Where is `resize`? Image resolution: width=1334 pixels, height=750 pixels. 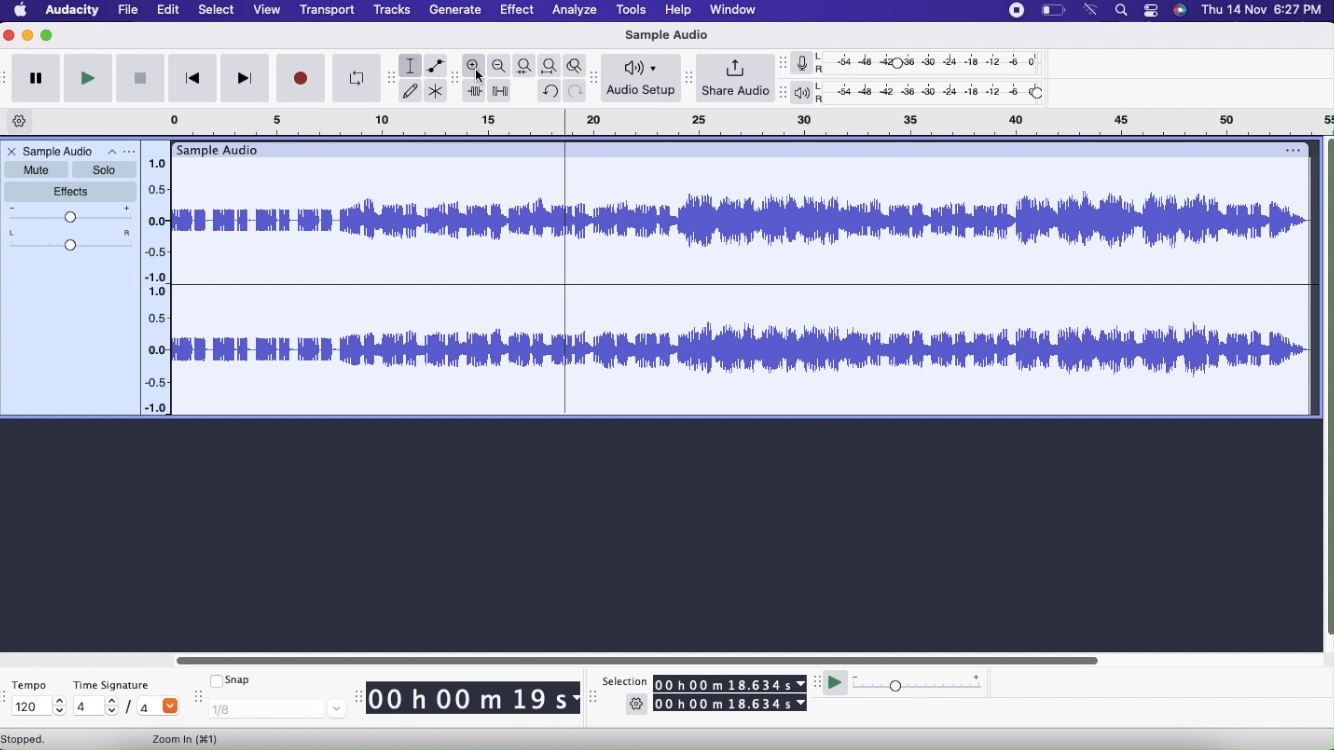
resize is located at coordinates (385, 76).